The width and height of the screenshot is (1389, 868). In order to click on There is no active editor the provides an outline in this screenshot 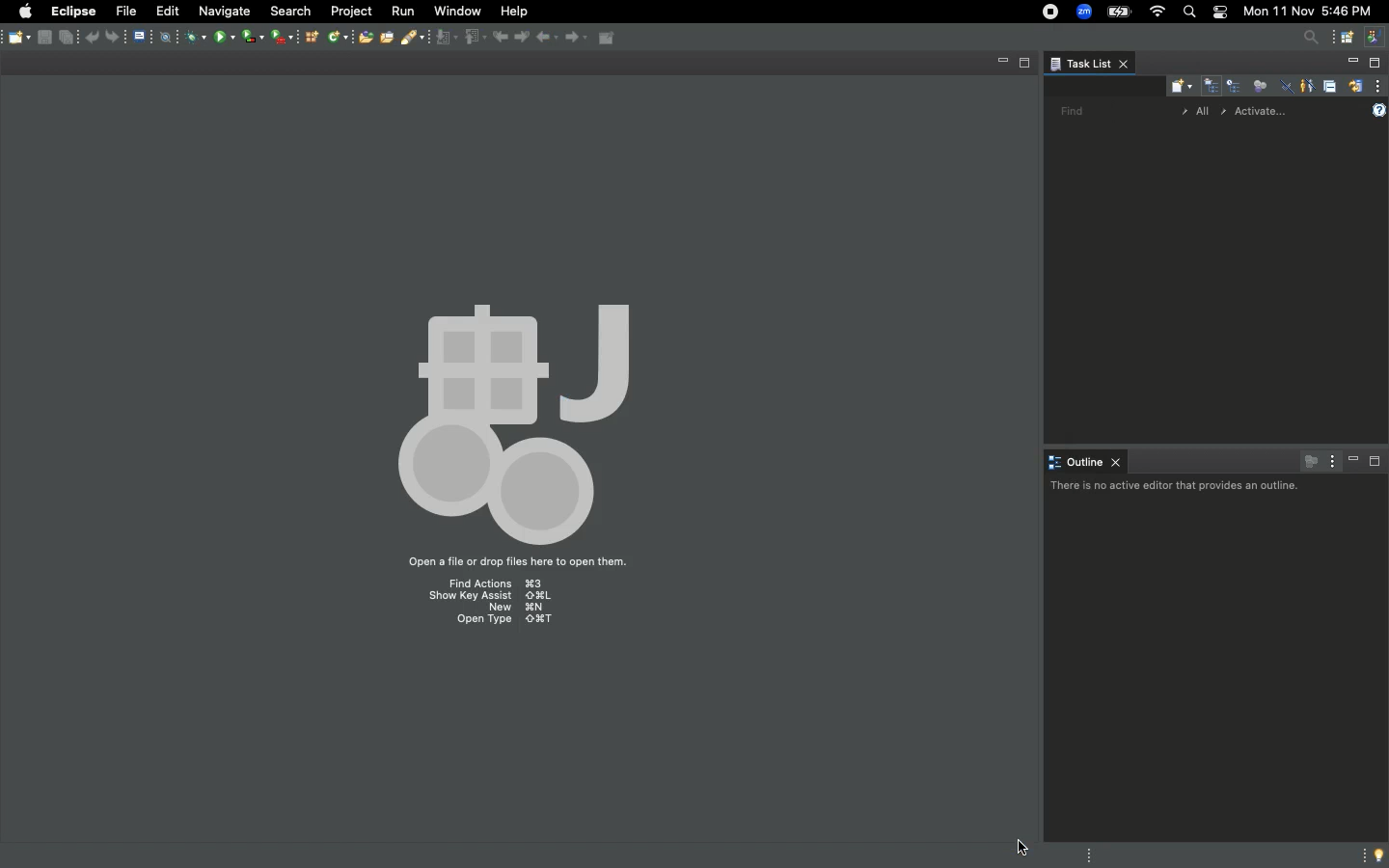, I will do `click(1176, 487)`.